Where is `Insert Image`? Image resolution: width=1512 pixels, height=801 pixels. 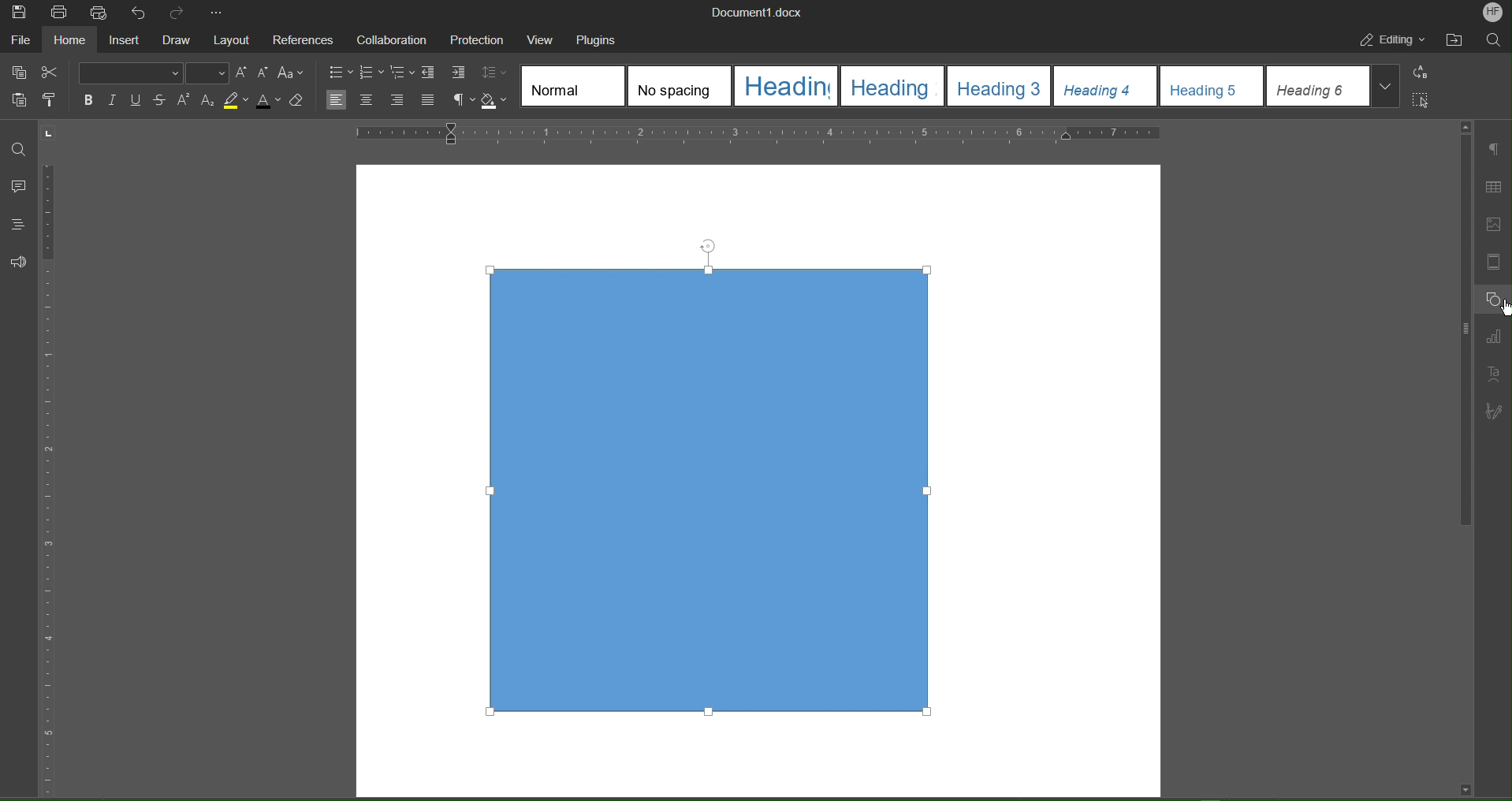 Insert Image is located at coordinates (1498, 225).